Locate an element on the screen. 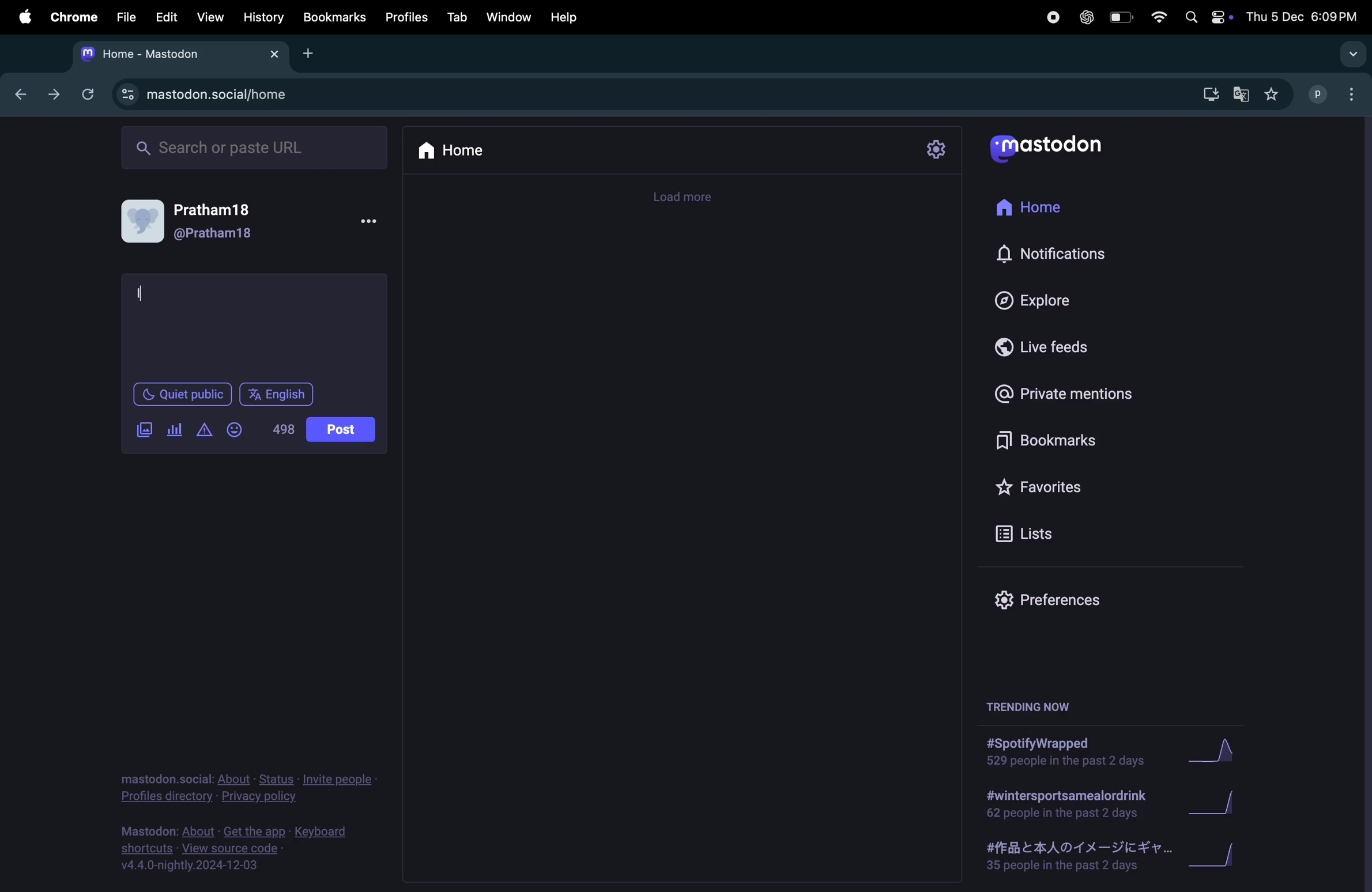  google translate is located at coordinates (1245, 96).